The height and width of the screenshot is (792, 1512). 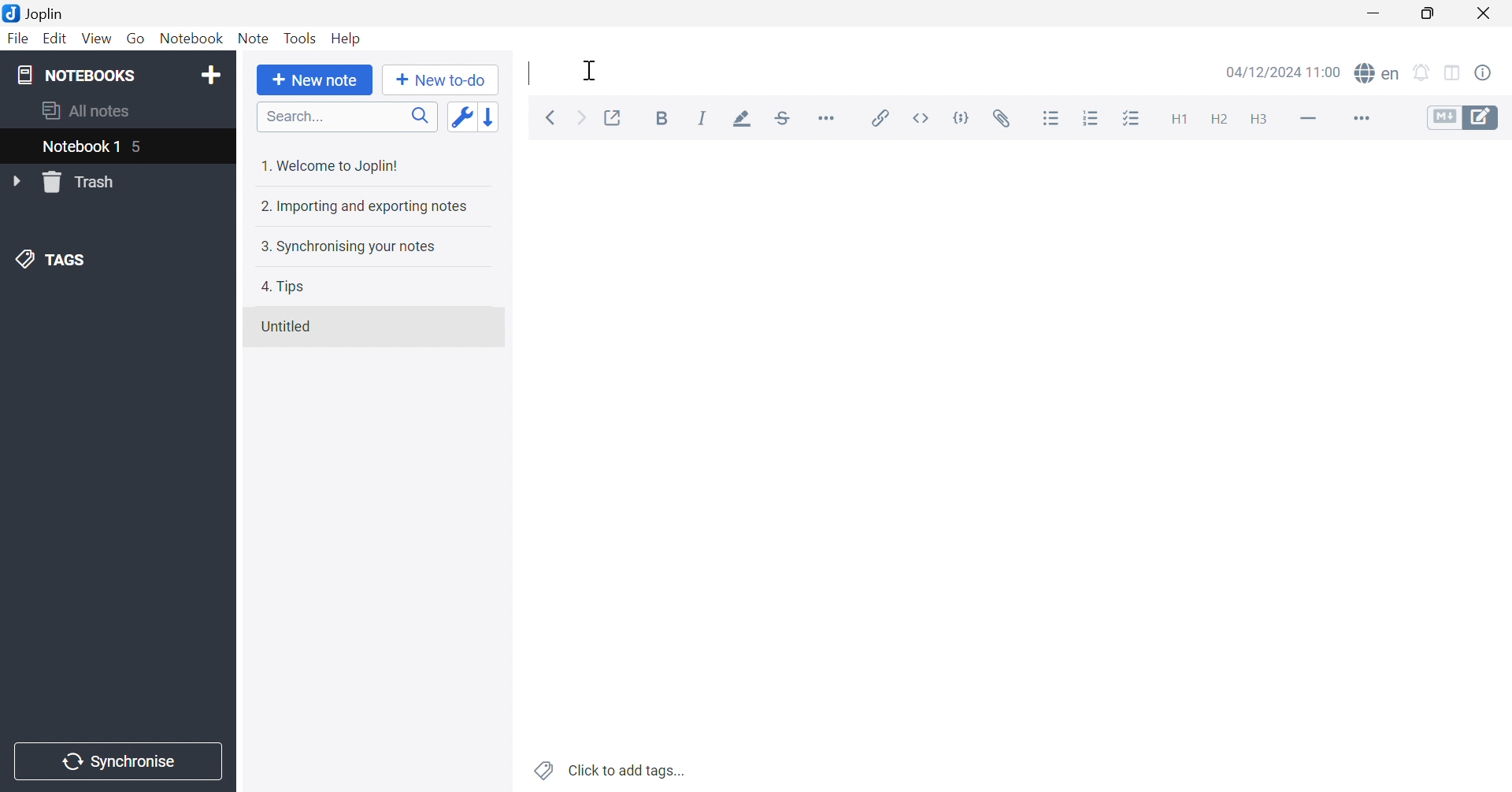 I want to click on Strikethrough, so click(x=787, y=120).